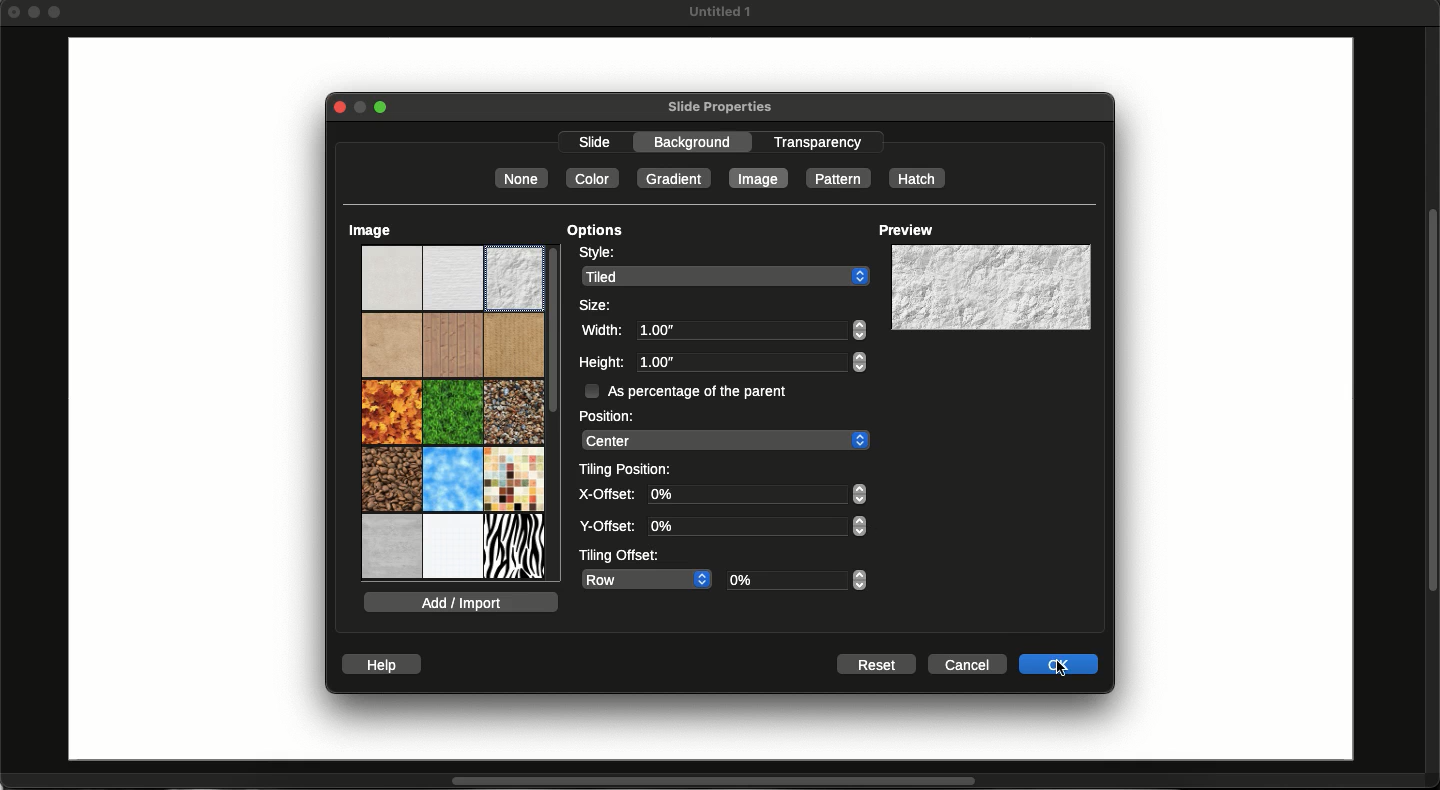  I want to click on As percentage of the parent, so click(707, 390).